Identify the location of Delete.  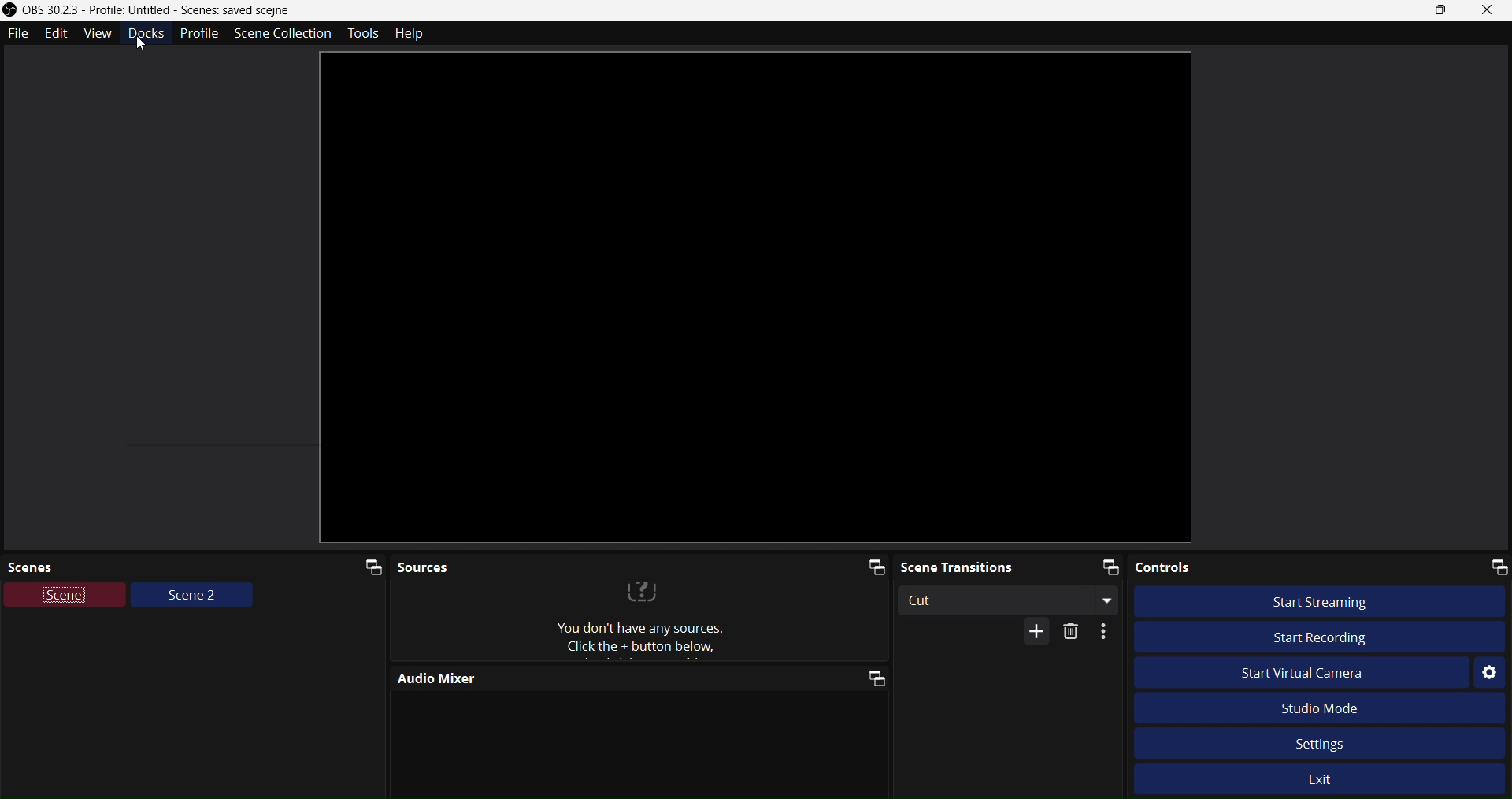
(1074, 632).